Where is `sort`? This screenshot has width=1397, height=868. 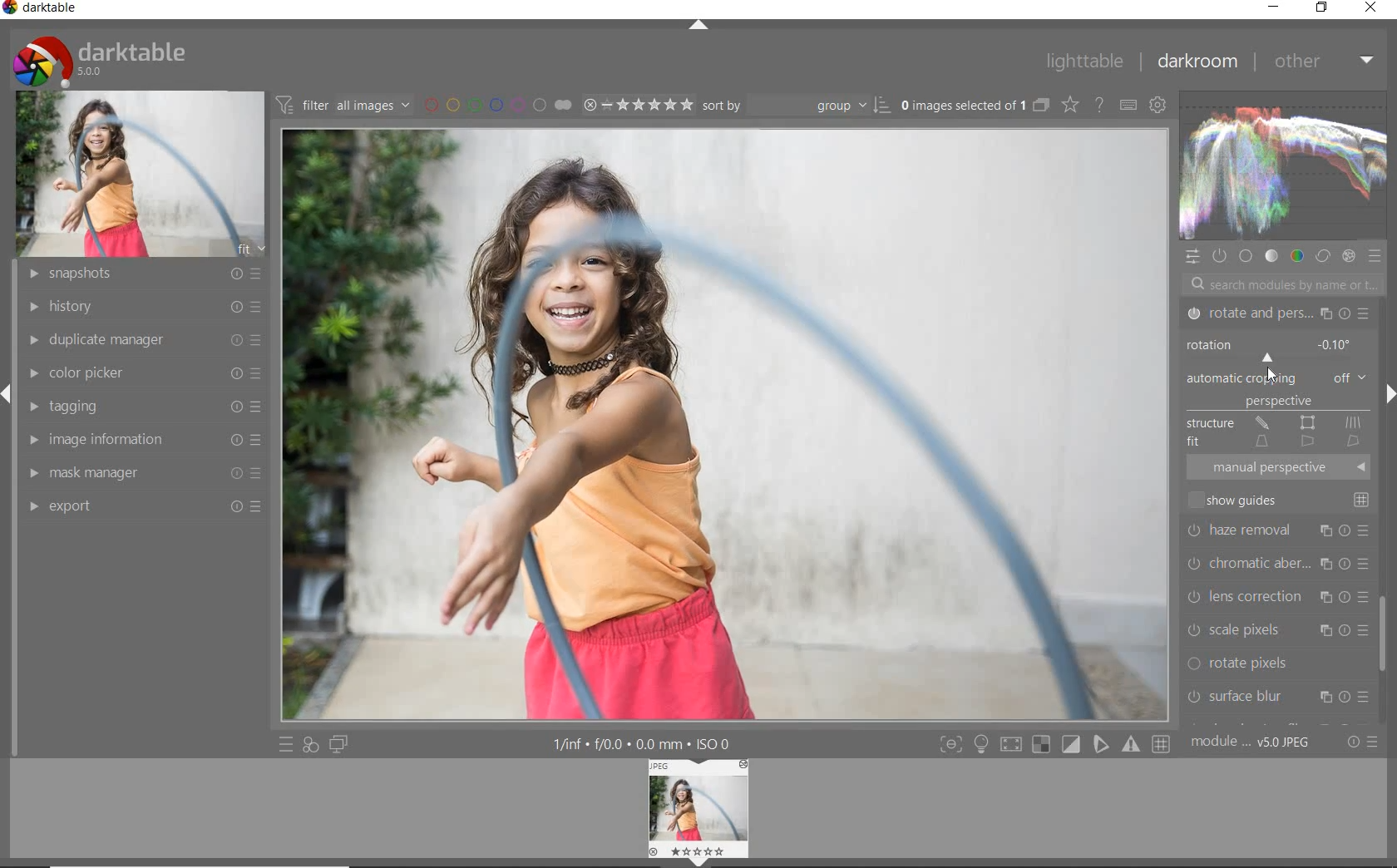 sort is located at coordinates (797, 104).